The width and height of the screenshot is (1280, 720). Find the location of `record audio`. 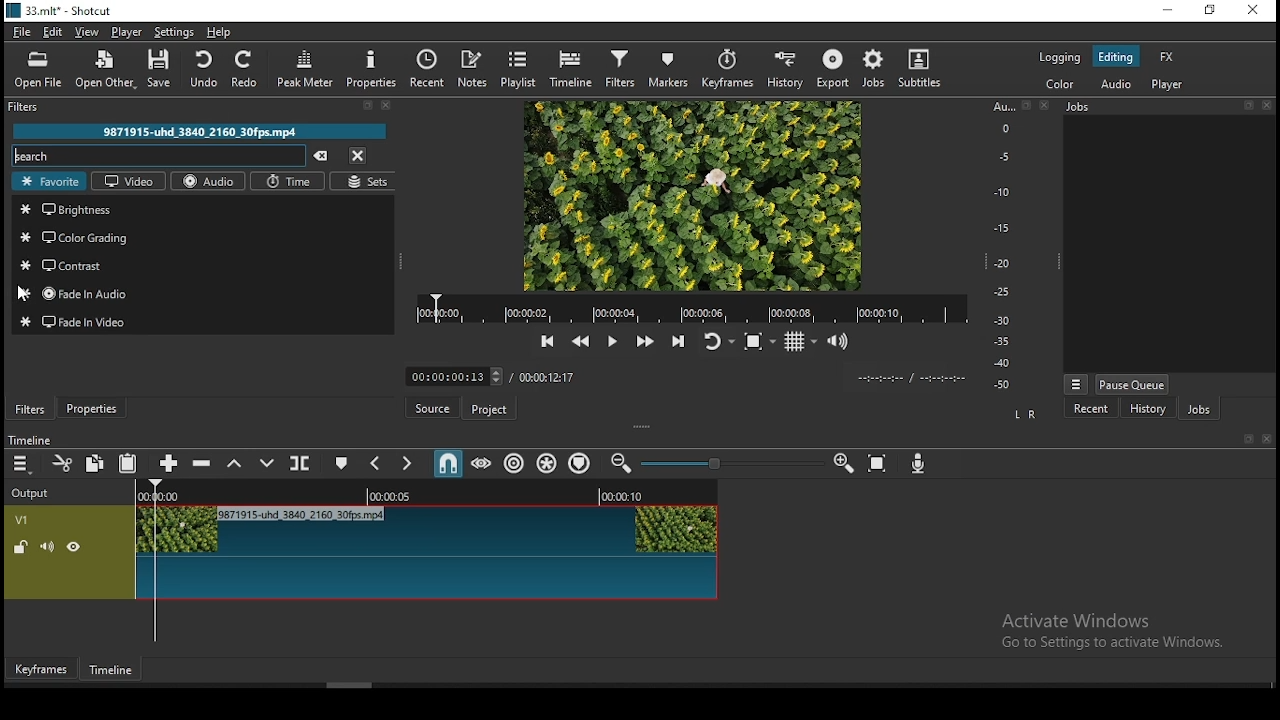

record audio is located at coordinates (919, 467).